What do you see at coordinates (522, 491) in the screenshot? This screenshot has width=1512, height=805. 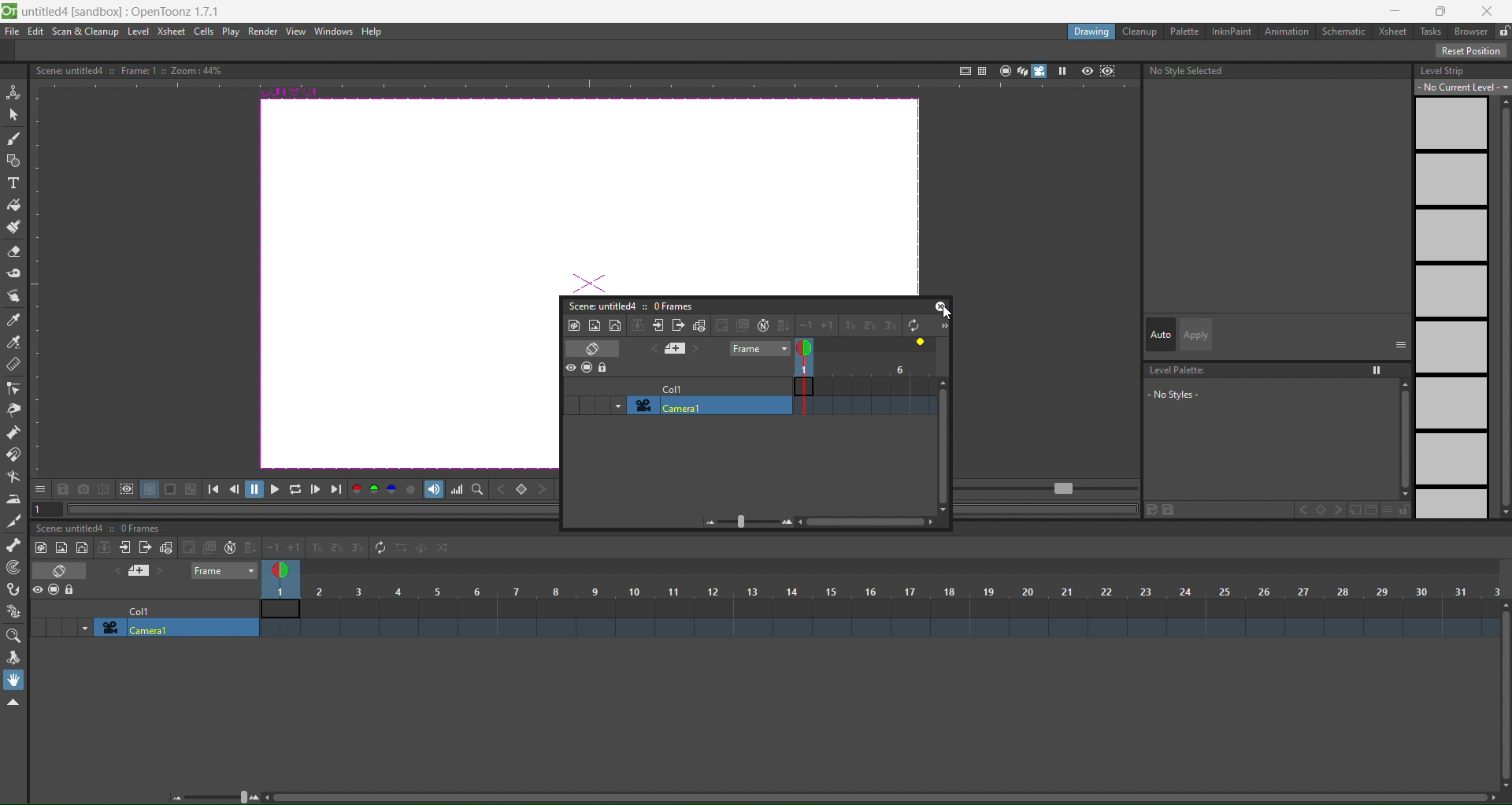 I see `locator` at bounding box center [522, 491].